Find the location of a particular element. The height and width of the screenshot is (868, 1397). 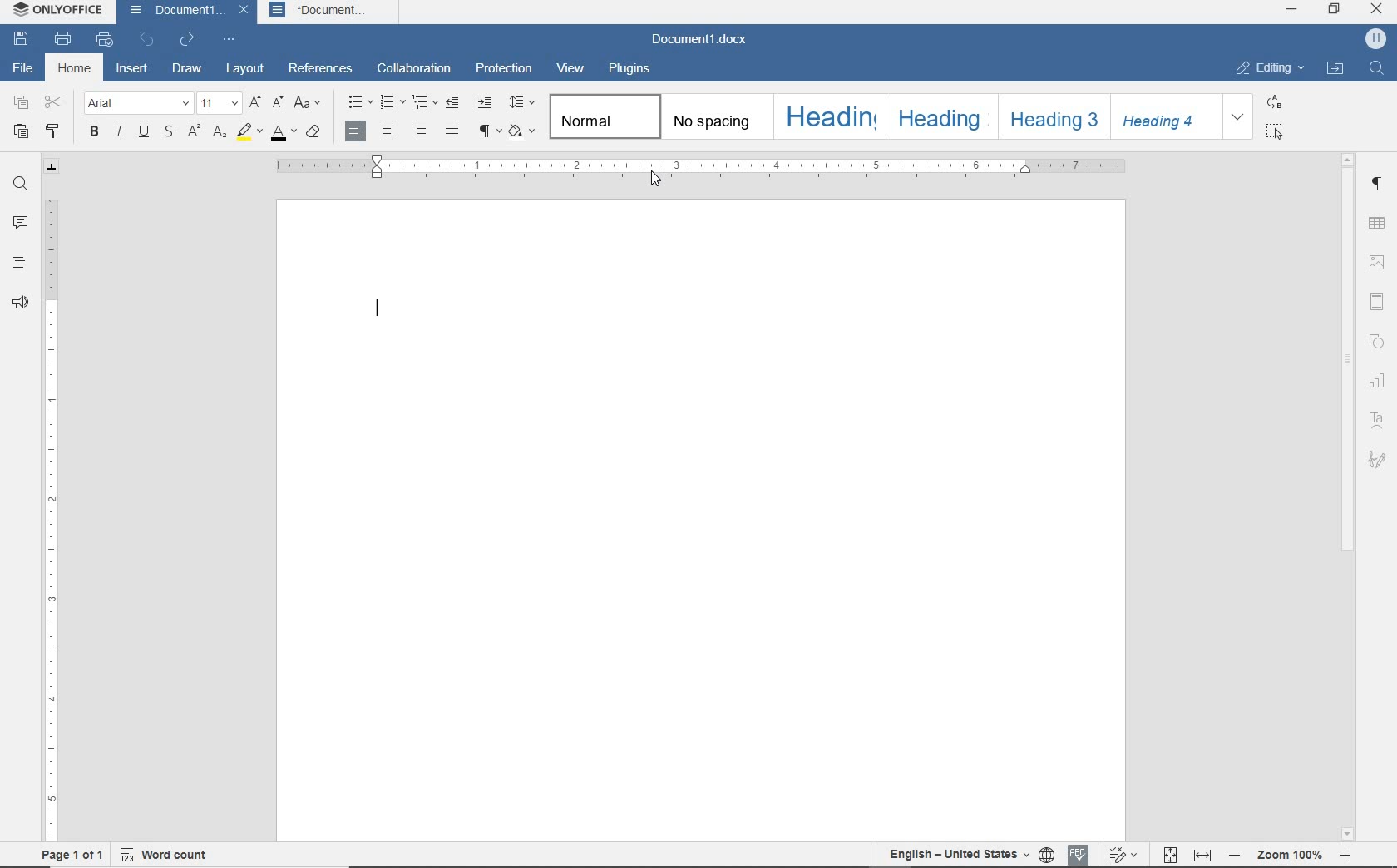

NONPRINTING CHARACTERS is located at coordinates (486, 132).